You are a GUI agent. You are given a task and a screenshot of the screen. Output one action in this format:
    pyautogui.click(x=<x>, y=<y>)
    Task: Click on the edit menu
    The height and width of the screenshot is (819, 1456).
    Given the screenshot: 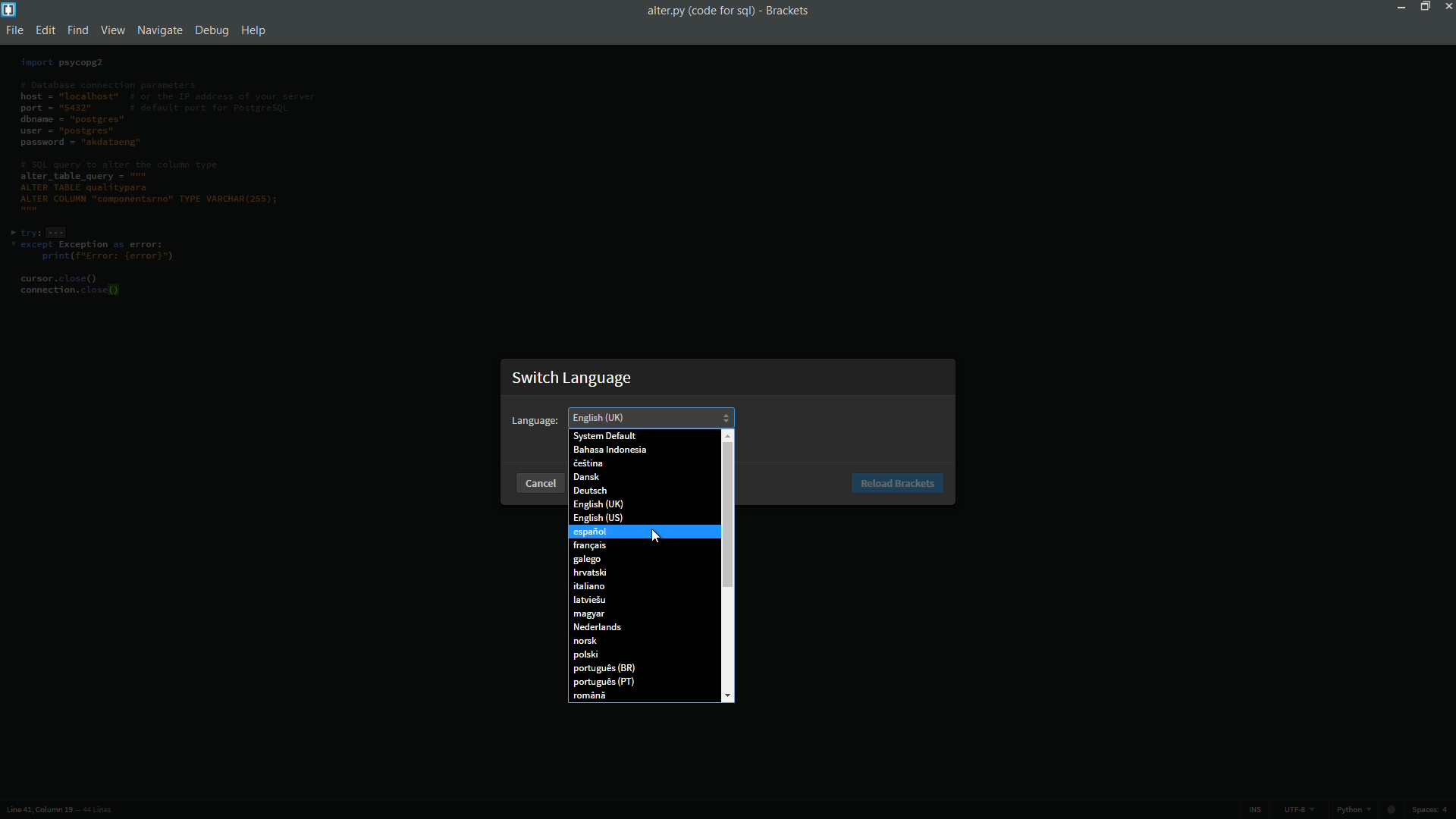 What is the action you would take?
    pyautogui.click(x=45, y=30)
    